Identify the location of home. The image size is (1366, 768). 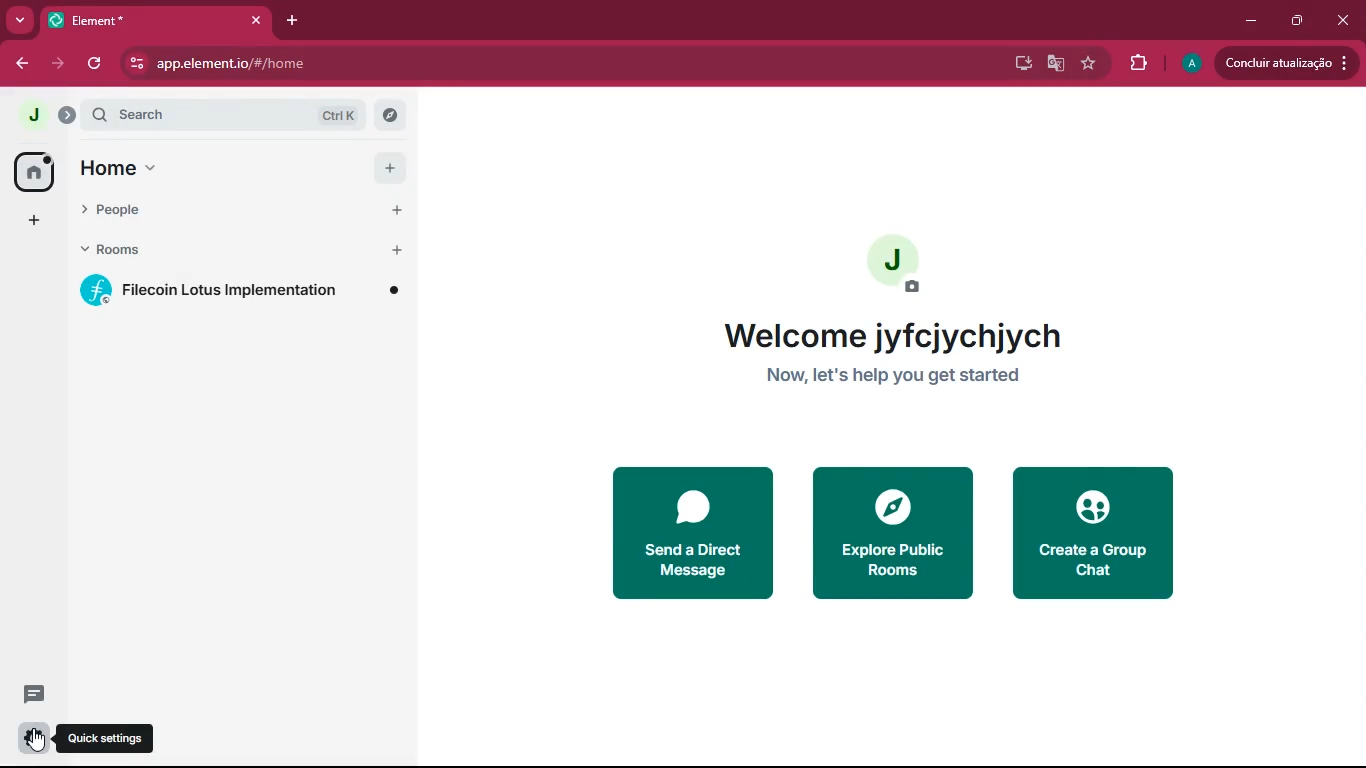
(140, 167).